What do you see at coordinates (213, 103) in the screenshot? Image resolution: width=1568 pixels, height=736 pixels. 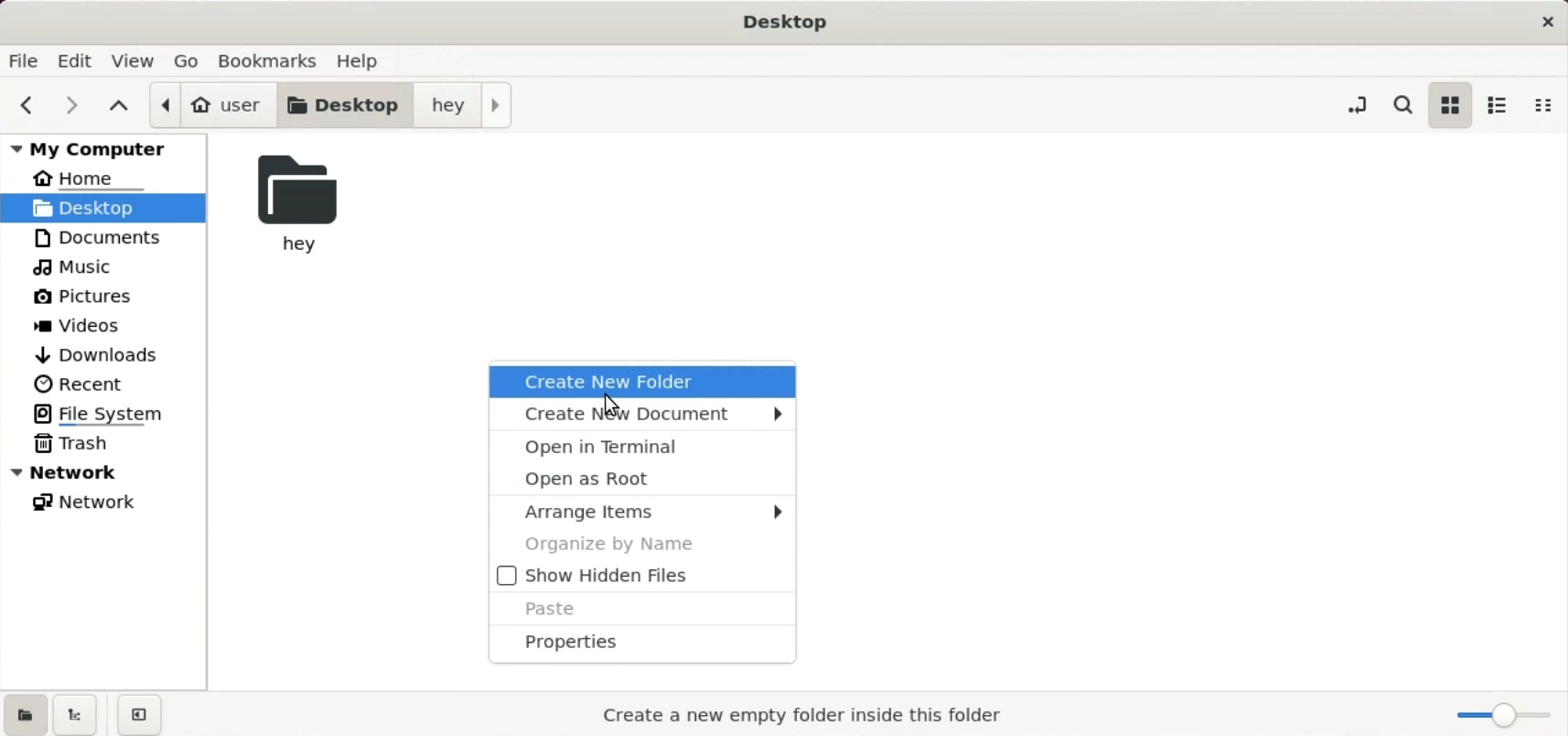 I see `user` at bounding box center [213, 103].